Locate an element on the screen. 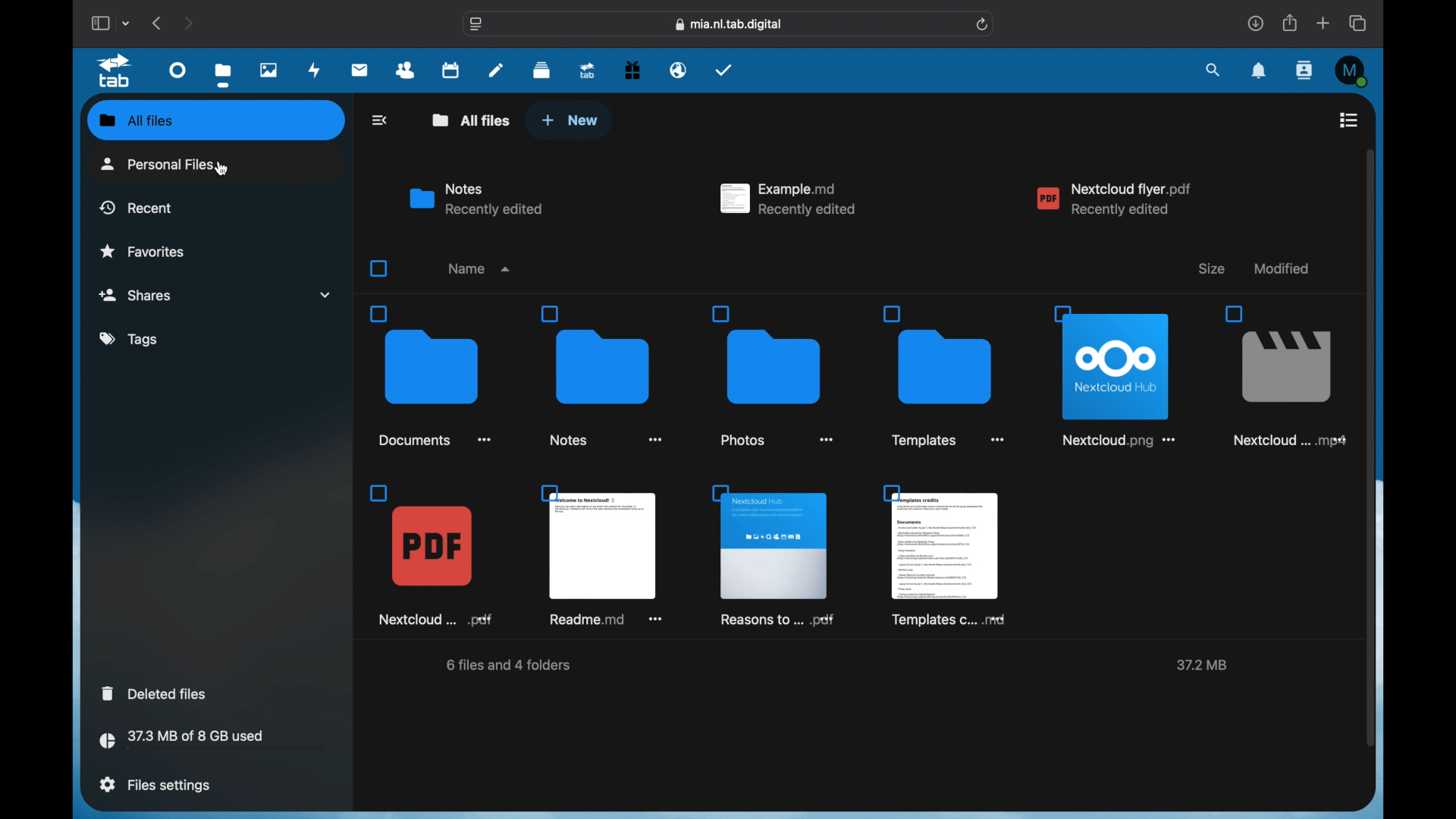 This screenshot has height=819, width=1456. refresh is located at coordinates (984, 25).